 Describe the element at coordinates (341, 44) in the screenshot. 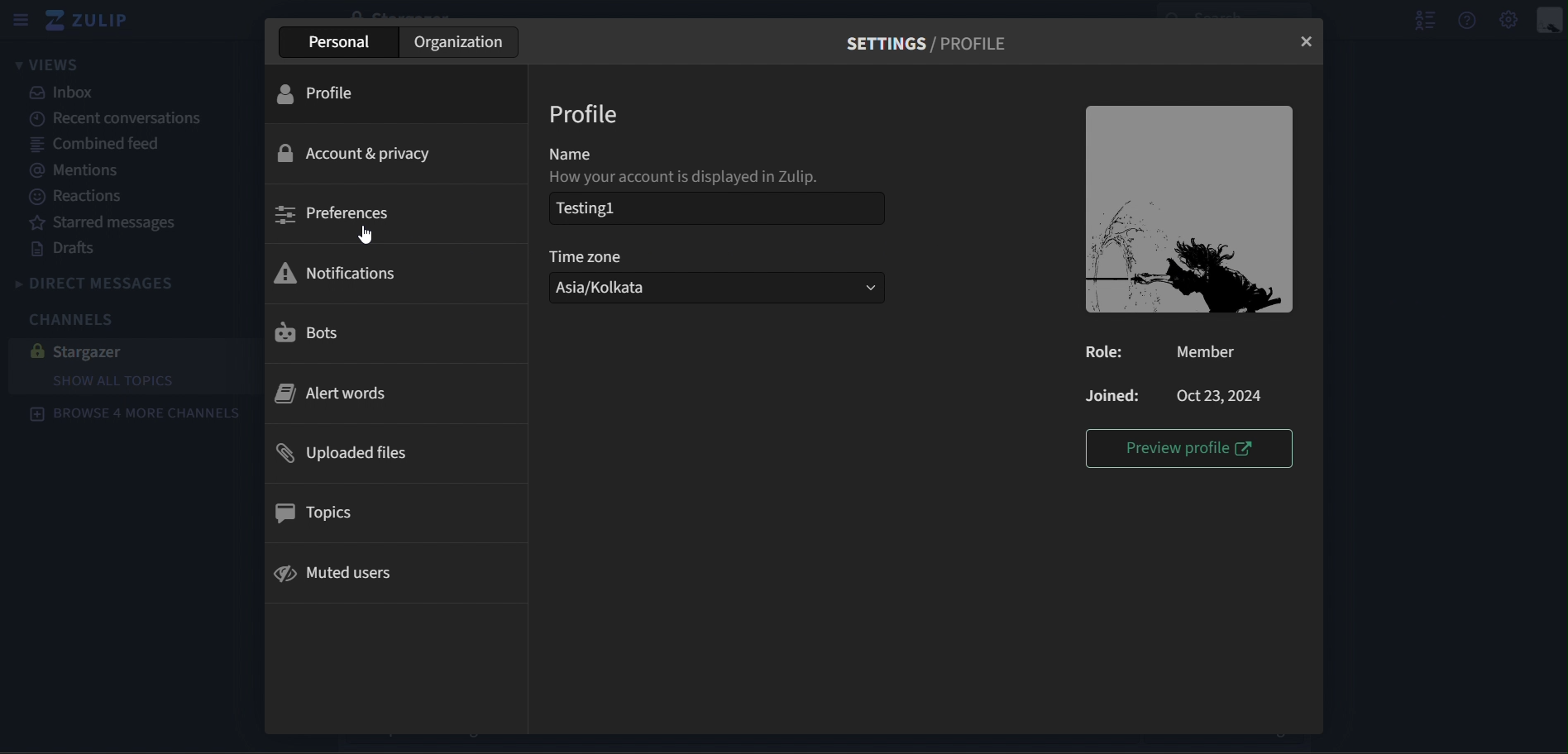

I see `personal ` at that location.